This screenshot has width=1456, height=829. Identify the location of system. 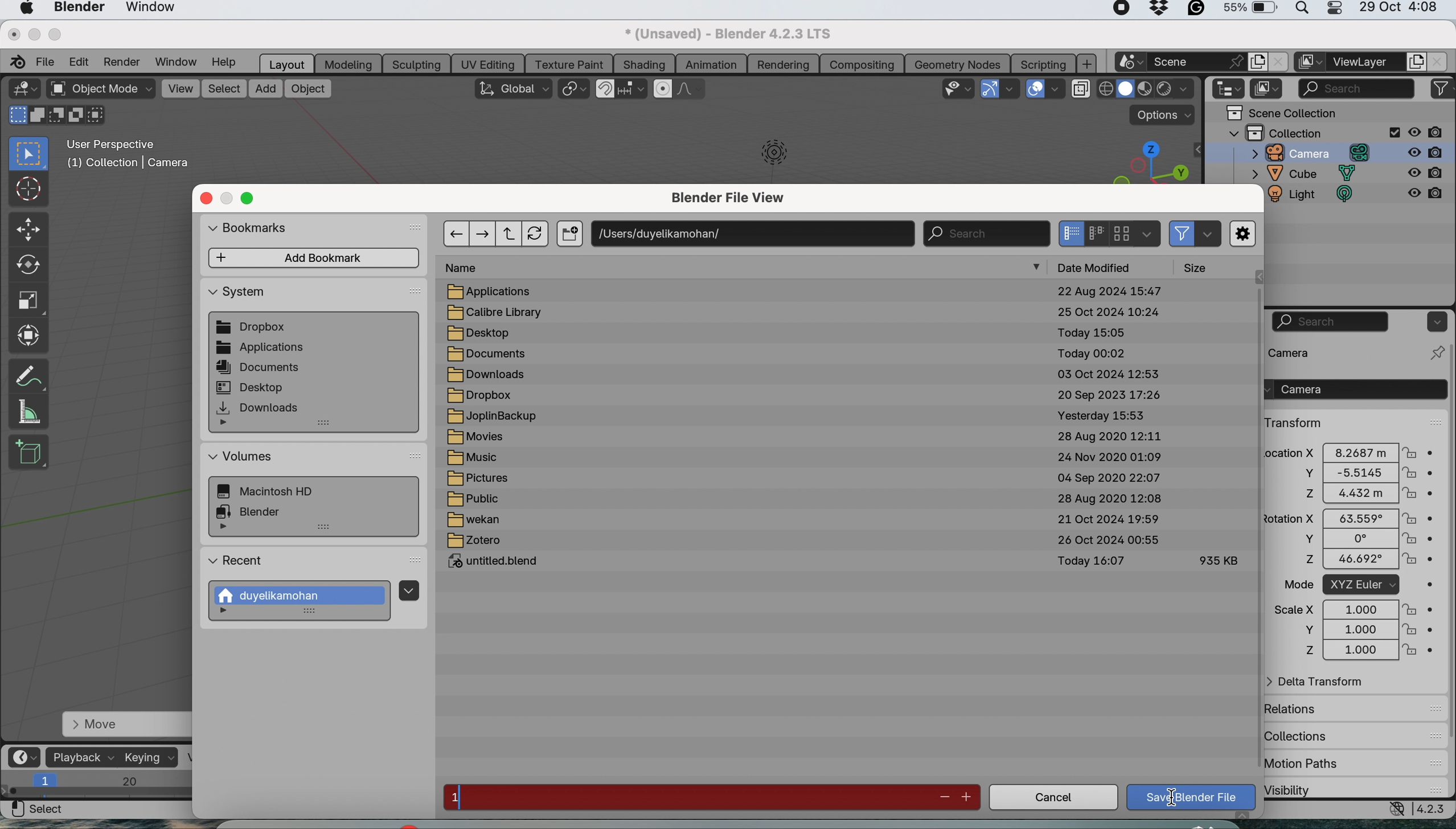
(274, 493).